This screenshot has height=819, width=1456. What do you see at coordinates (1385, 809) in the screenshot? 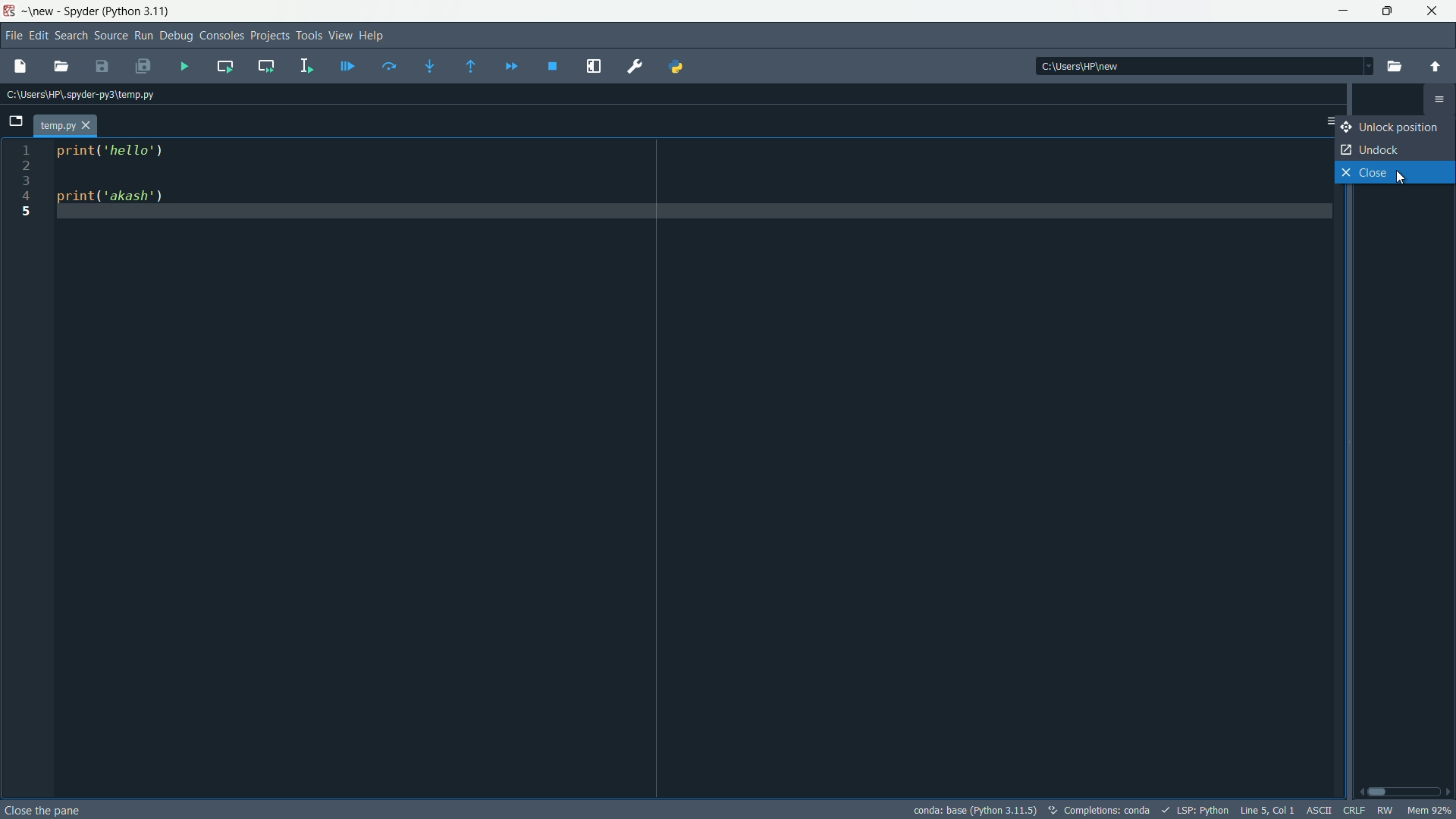
I see `RW` at bounding box center [1385, 809].